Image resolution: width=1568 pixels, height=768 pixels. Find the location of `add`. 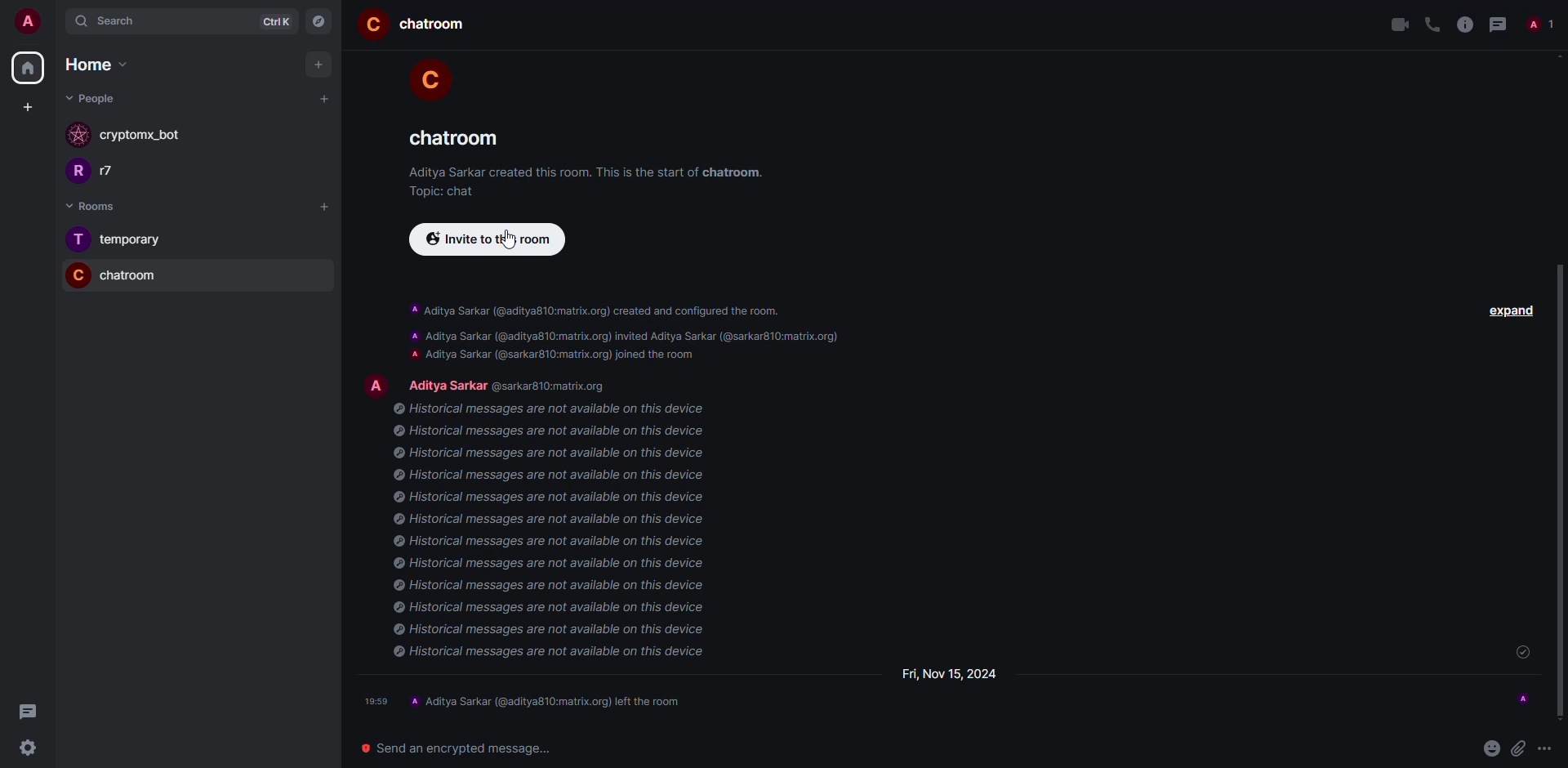

add is located at coordinates (318, 65).